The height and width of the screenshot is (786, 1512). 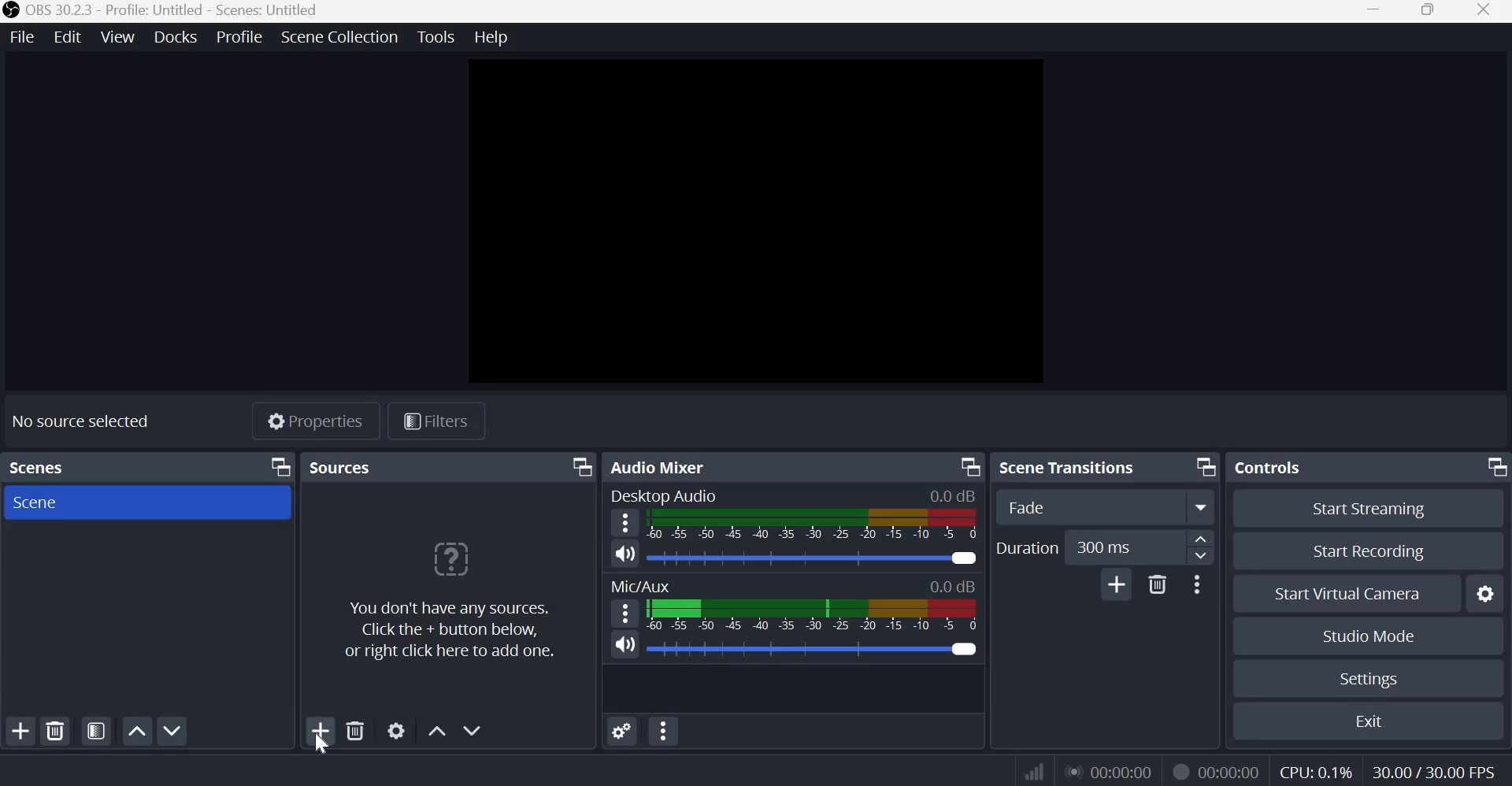 What do you see at coordinates (21, 732) in the screenshot?
I see `Add scene` at bounding box center [21, 732].